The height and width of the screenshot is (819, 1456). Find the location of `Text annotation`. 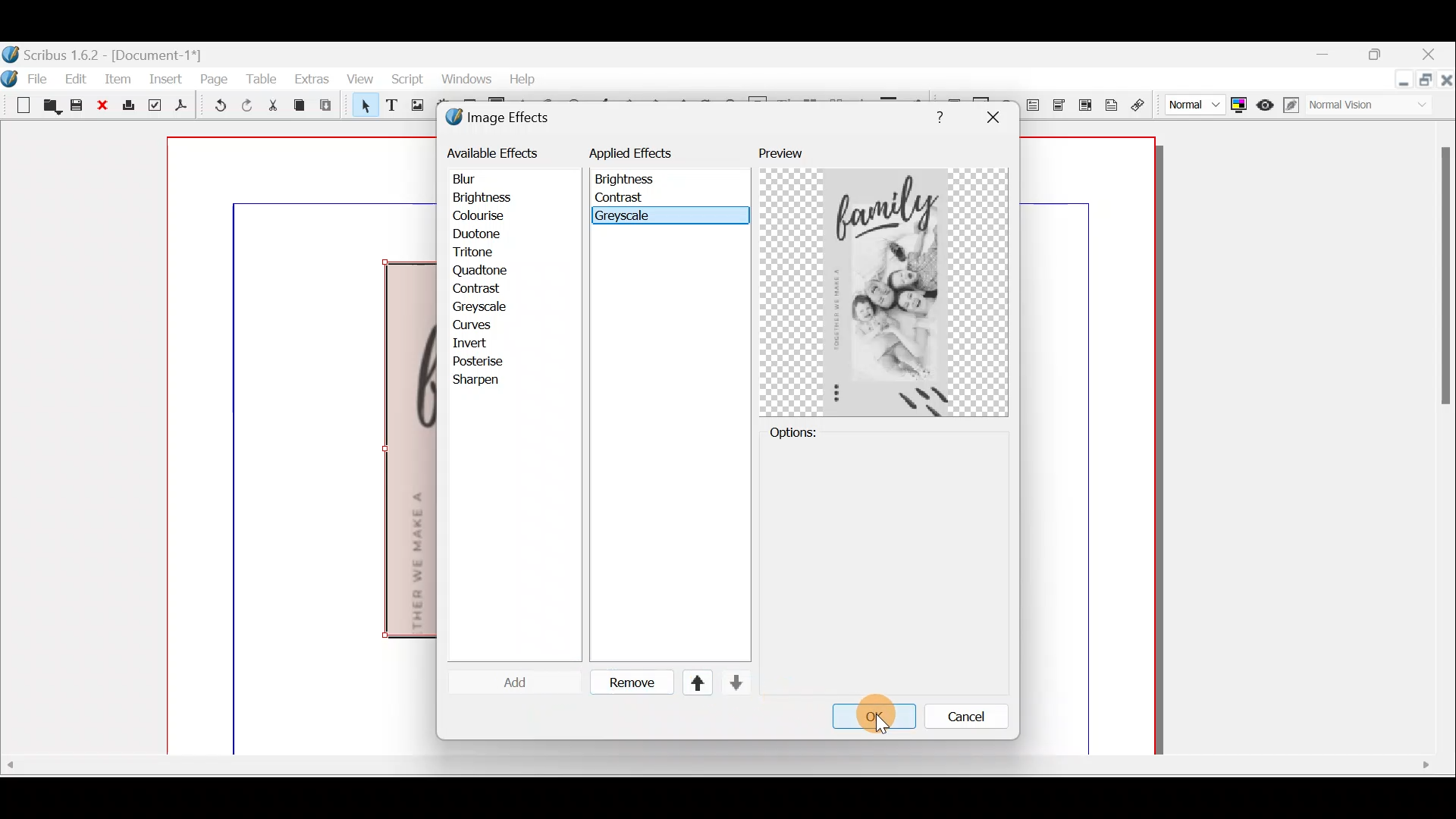

Text annotation is located at coordinates (1112, 108).